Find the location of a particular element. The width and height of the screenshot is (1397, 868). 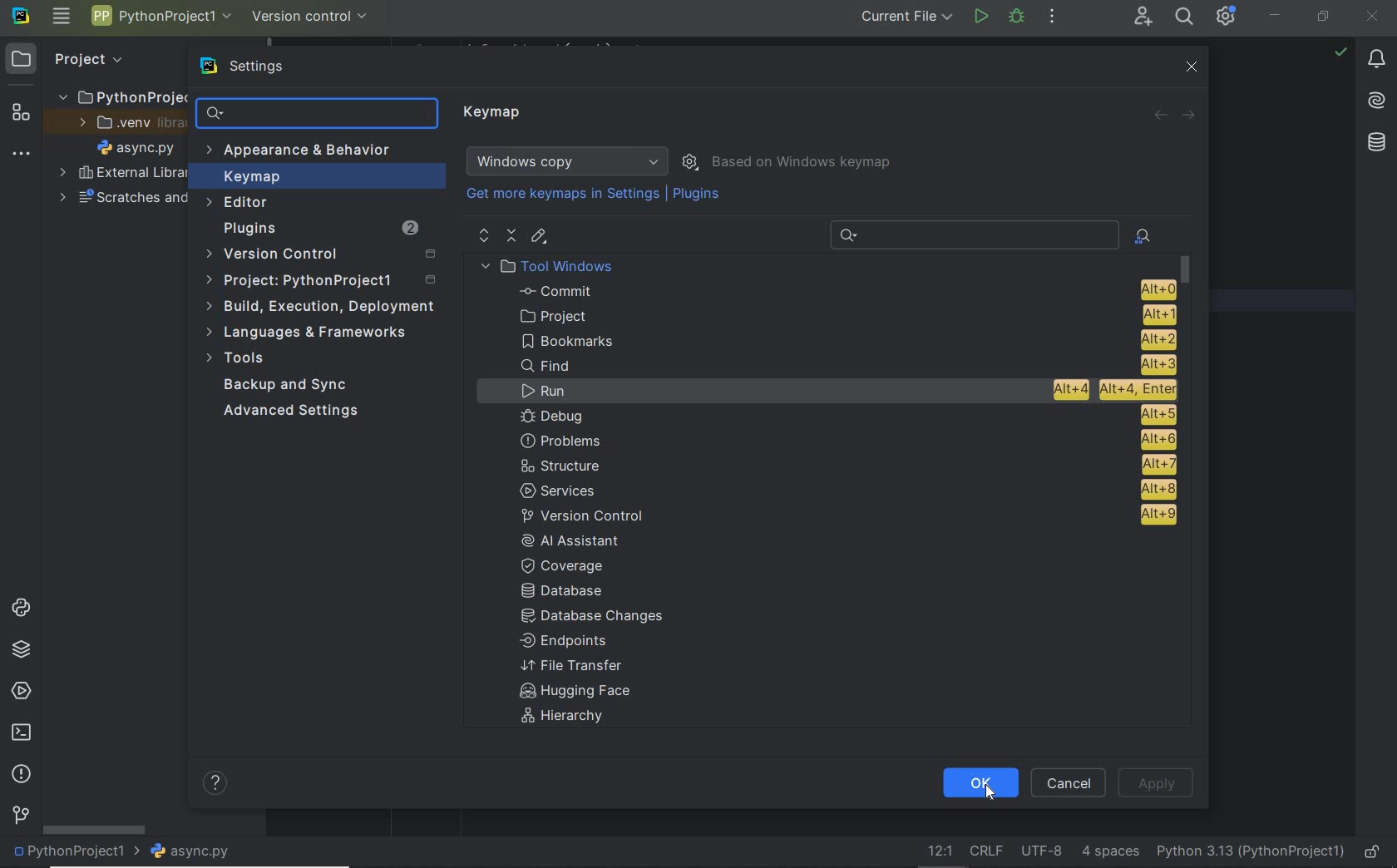

PythonProject is located at coordinates (122, 96).